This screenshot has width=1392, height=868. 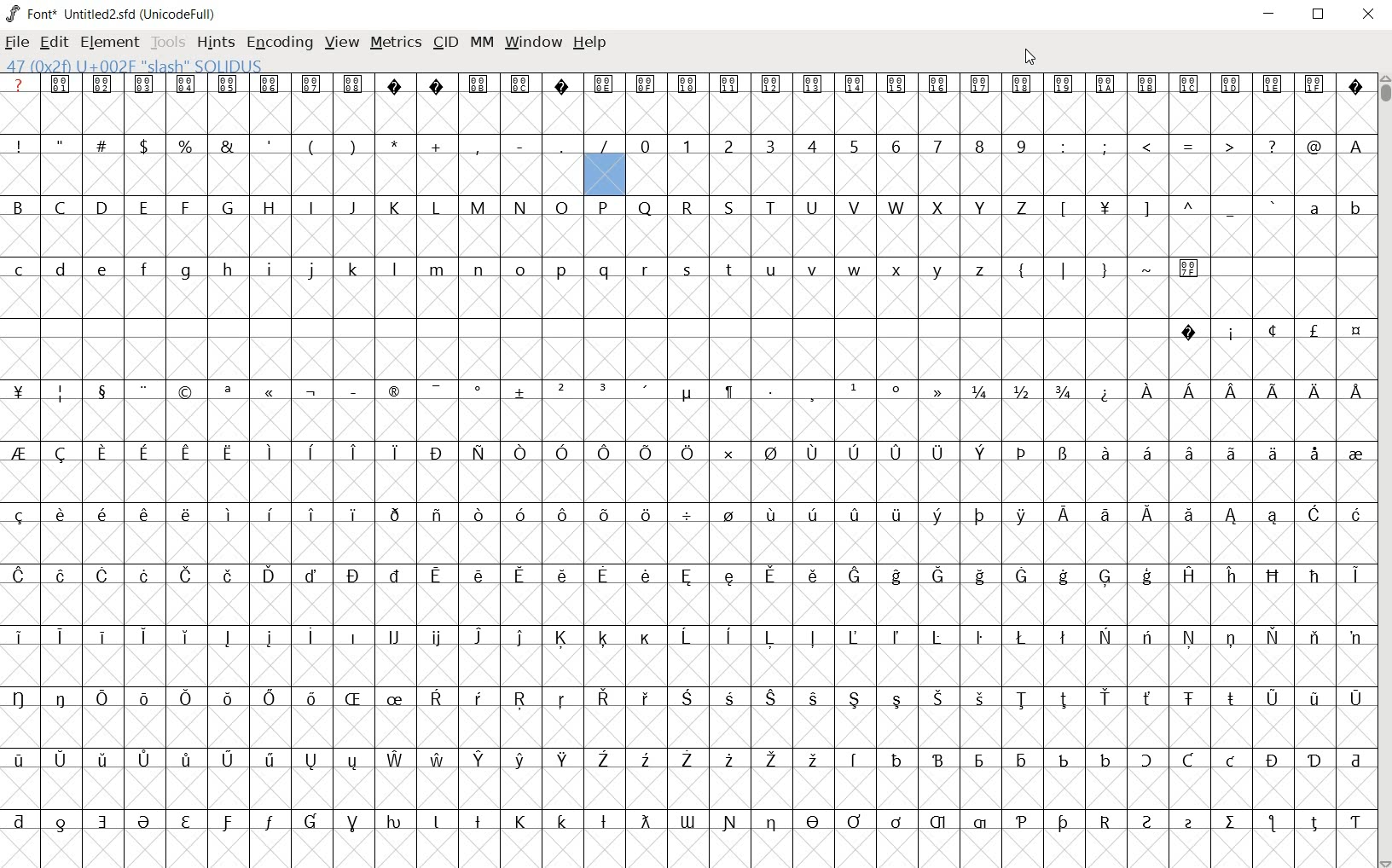 I want to click on empty cells, so click(x=688, y=847).